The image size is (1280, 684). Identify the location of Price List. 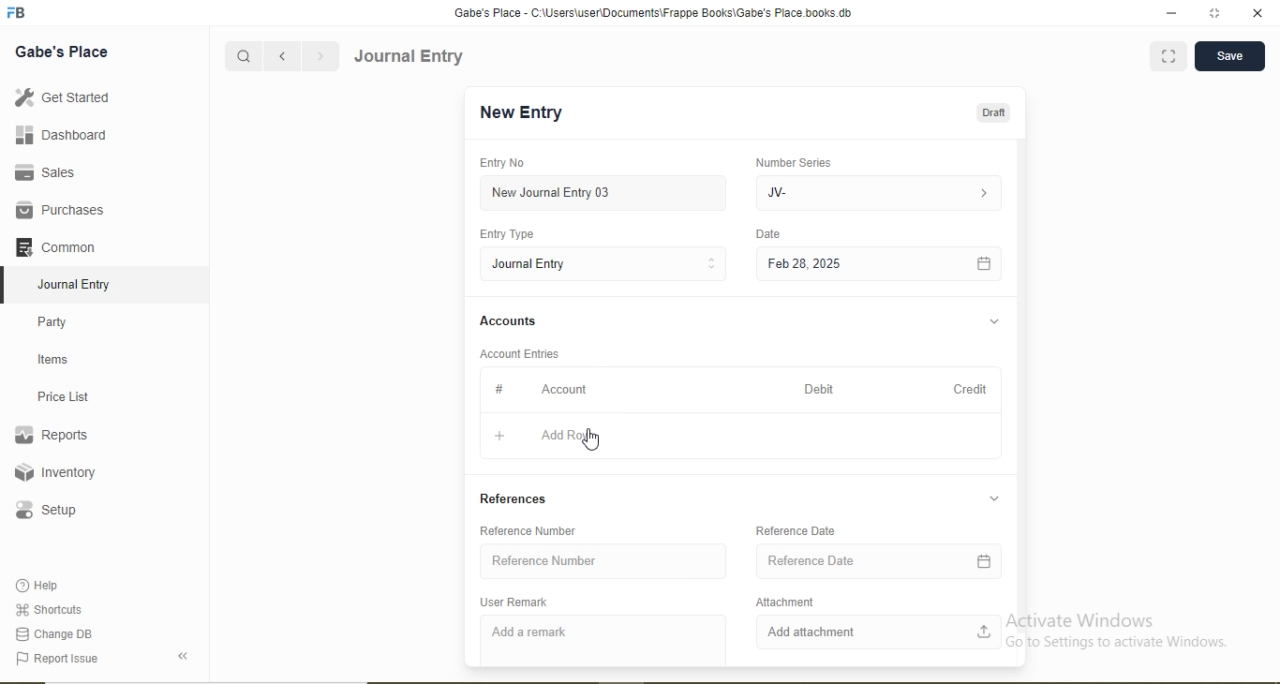
(62, 397).